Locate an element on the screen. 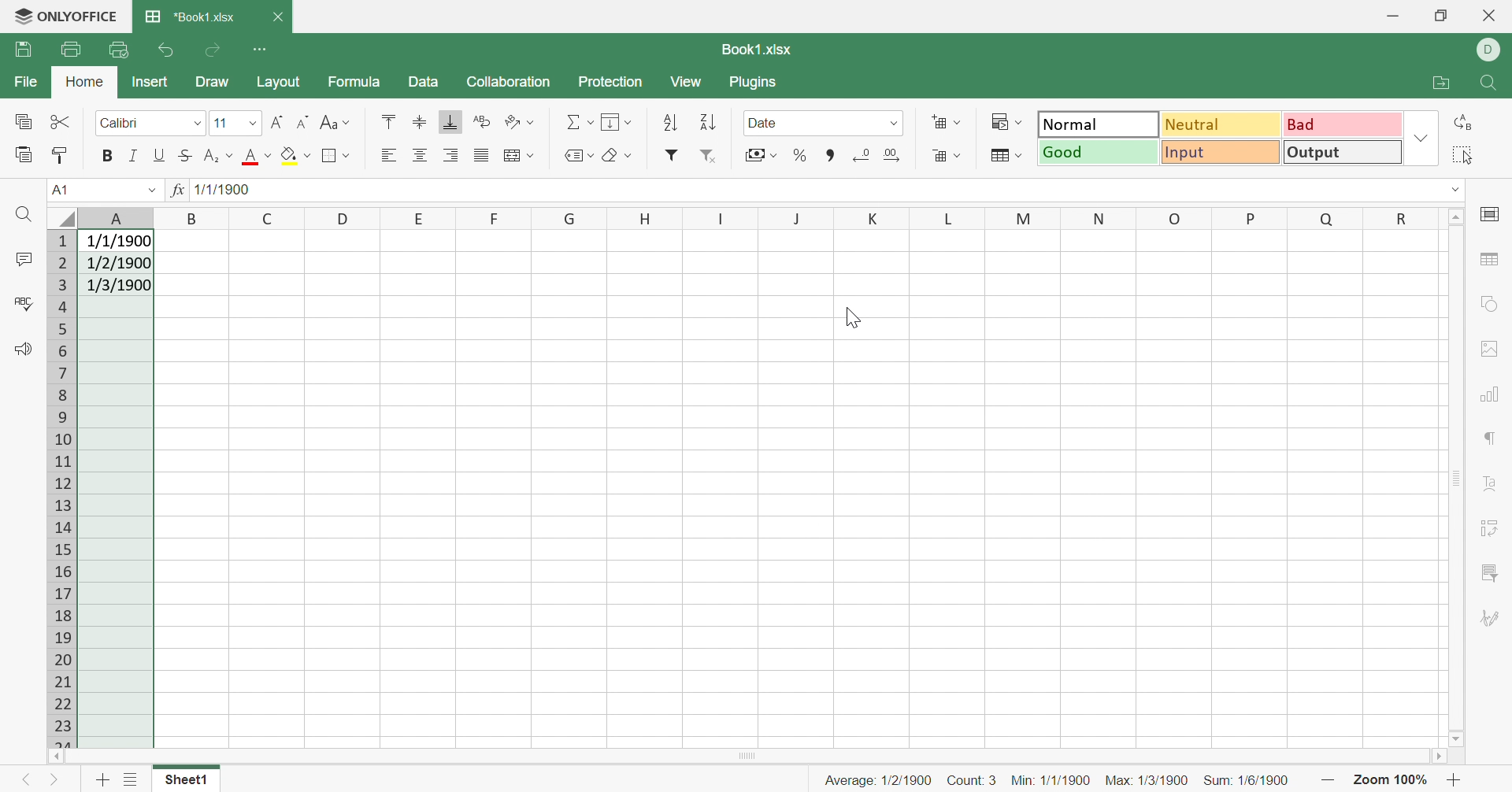 This screenshot has height=792, width=1512. Copy style is located at coordinates (59, 155).